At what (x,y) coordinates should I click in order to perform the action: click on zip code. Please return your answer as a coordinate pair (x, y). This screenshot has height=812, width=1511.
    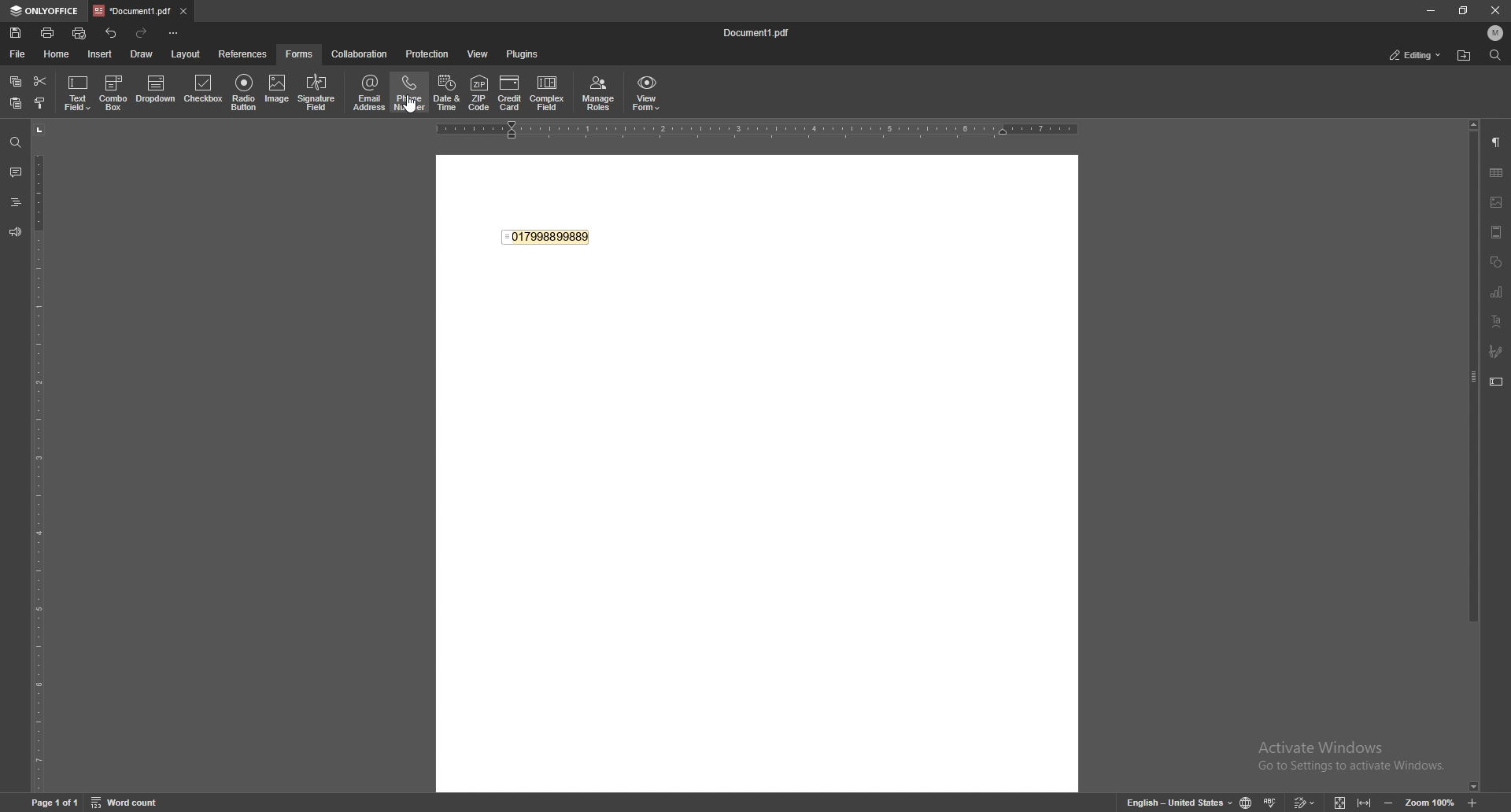
    Looking at the image, I should click on (481, 94).